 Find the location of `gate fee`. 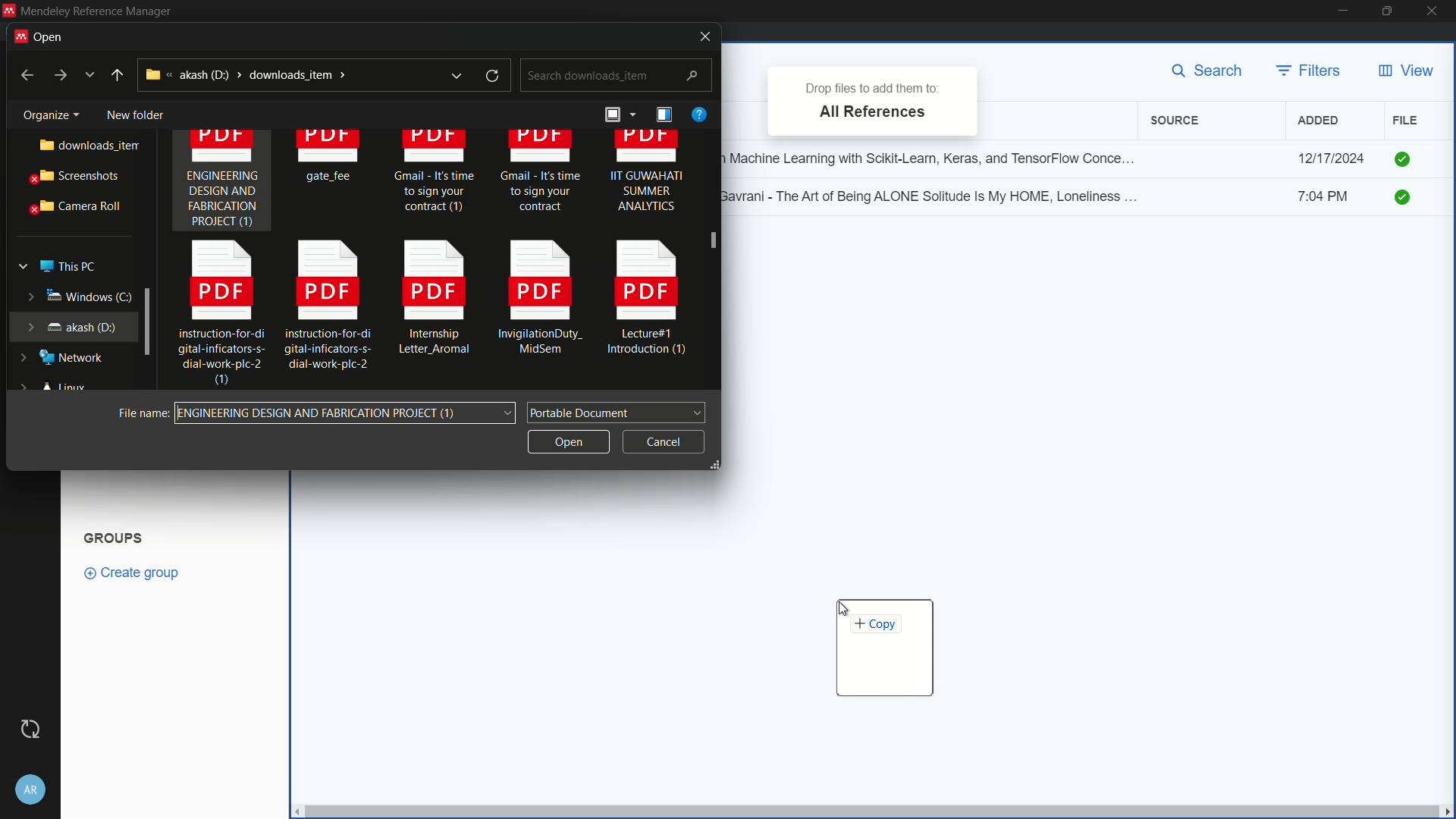

gate fee is located at coordinates (331, 159).